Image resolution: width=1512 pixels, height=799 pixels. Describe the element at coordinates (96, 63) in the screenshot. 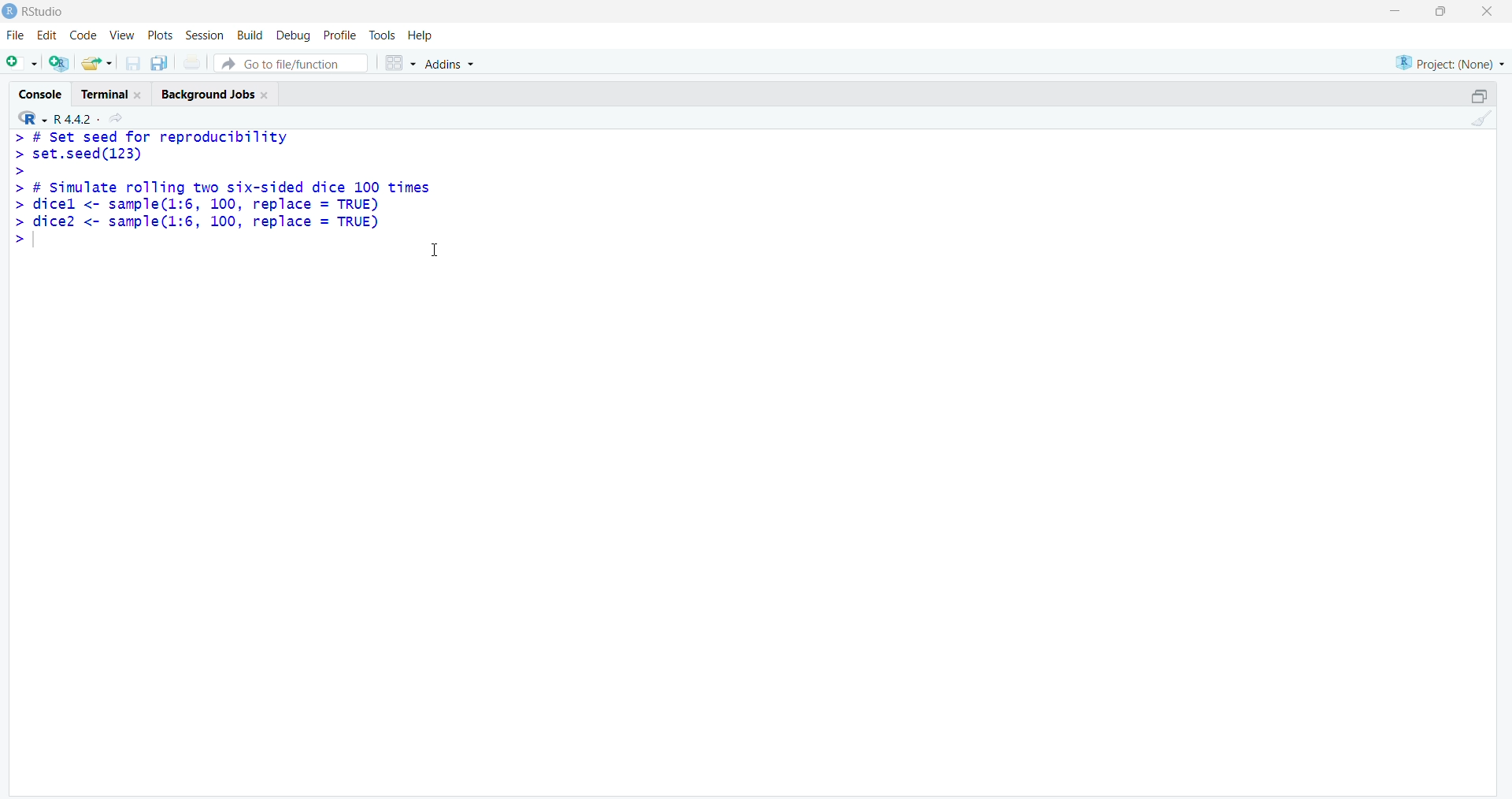

I see `share folder as` at that location.